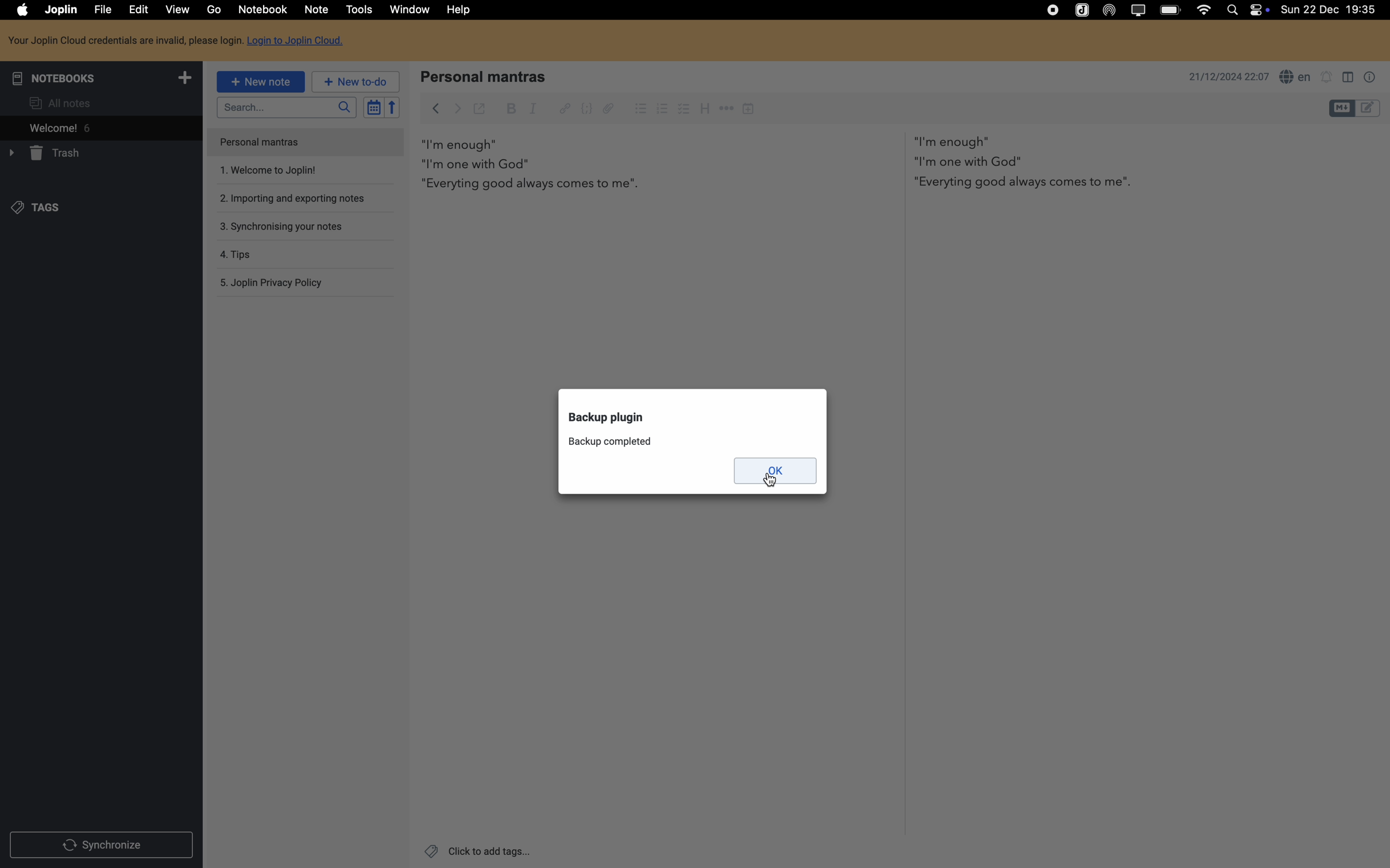 Image resolution: width=1390 pixels, height=868 pixels. I want to click on New to-do, so click(371, 80).